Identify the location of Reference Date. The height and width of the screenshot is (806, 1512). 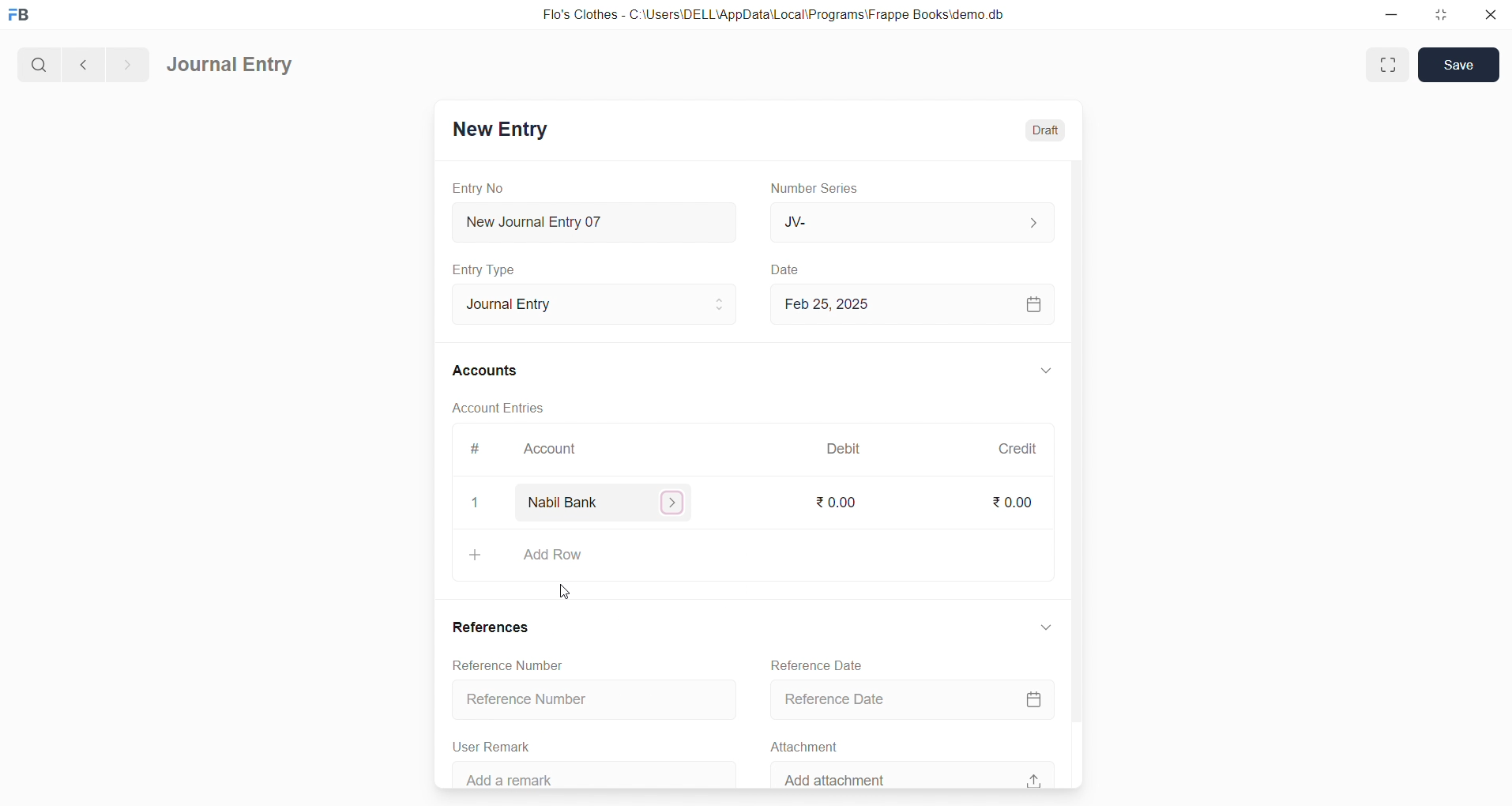
(818, 663).